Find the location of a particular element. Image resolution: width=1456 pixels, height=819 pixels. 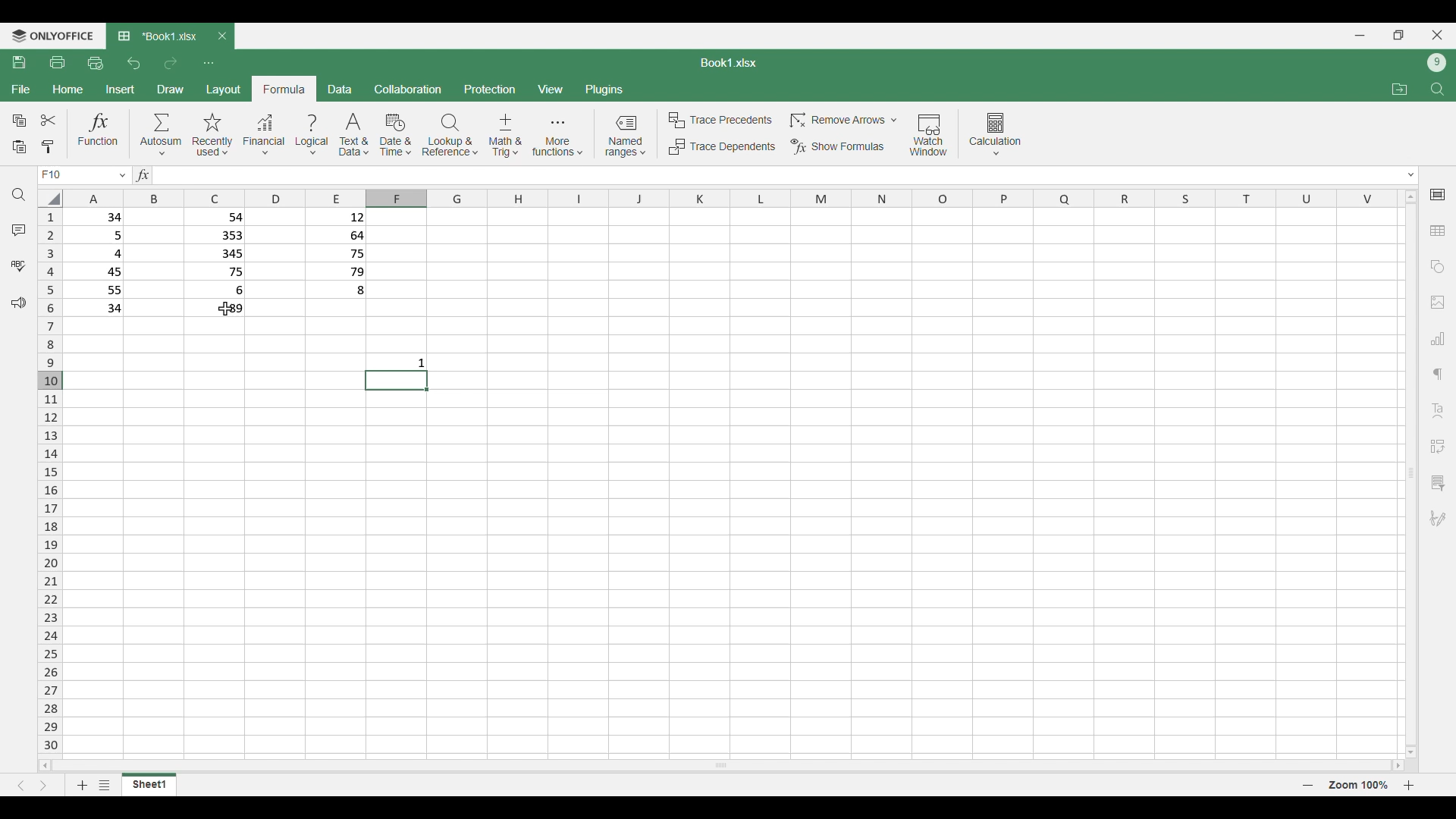

Cursor position unchanged is located at coordinates (225, 309).